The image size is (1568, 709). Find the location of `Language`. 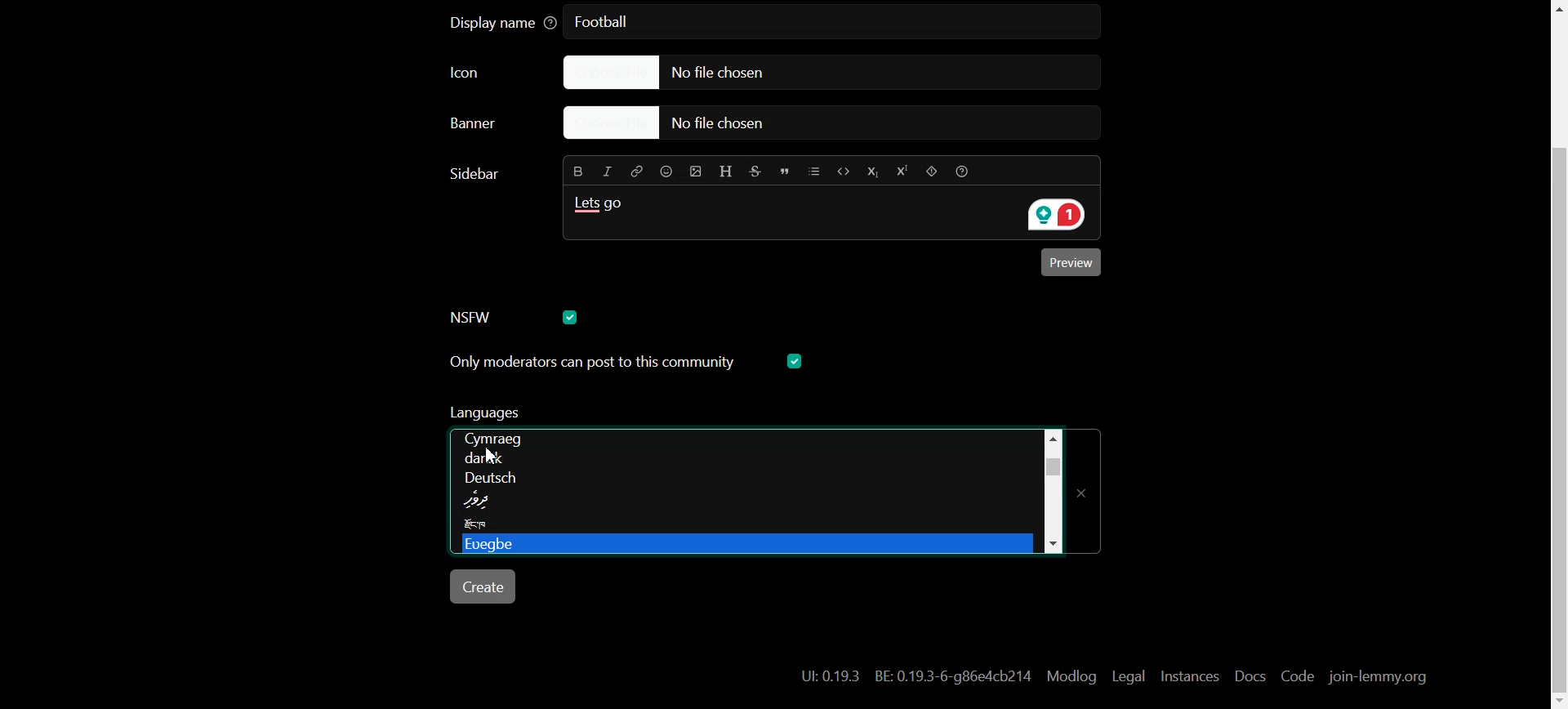

Language is located at coordinates (741, 438).